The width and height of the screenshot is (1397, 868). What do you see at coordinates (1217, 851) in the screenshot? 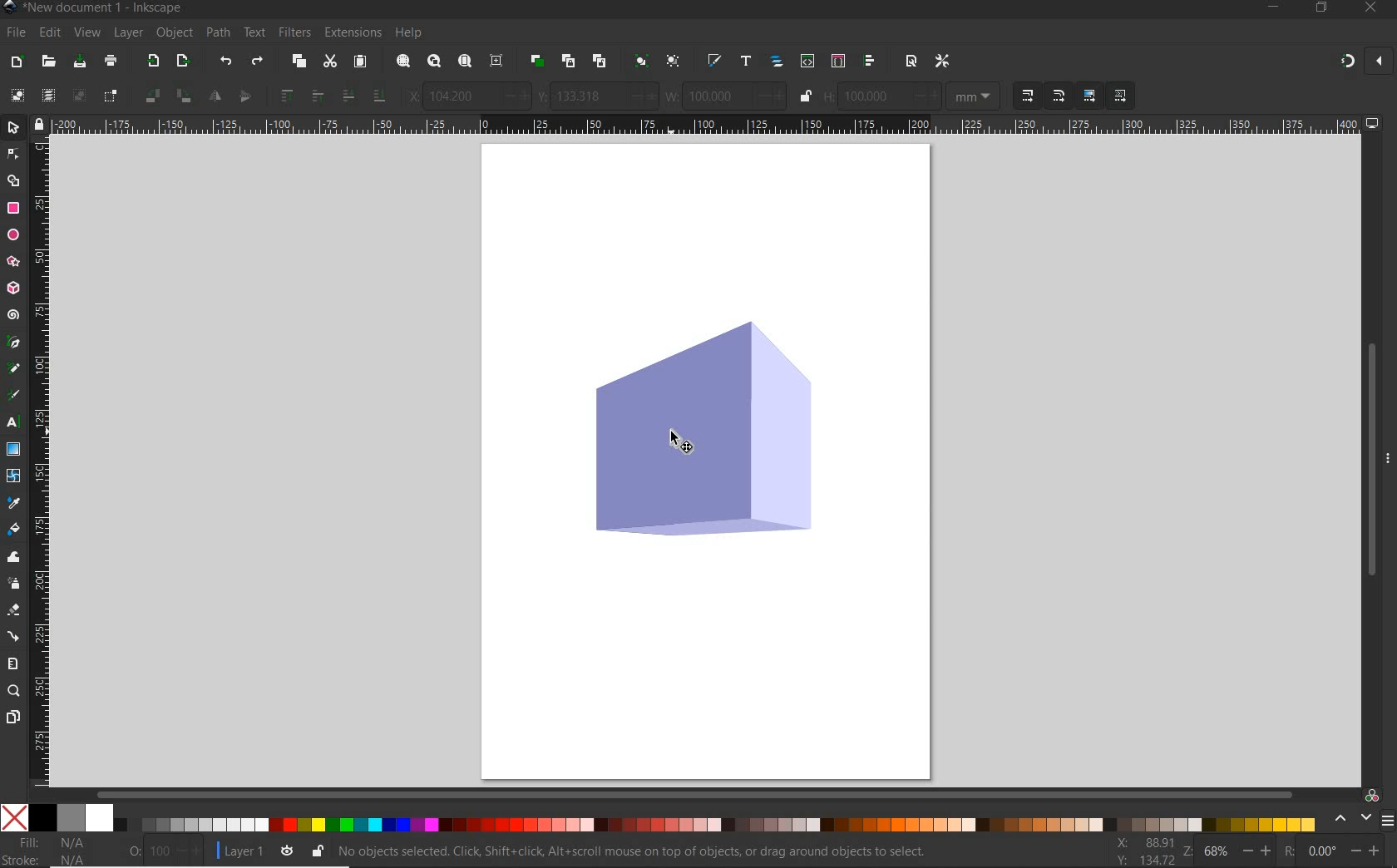
I see `68` at bounding box center [1217, 851].